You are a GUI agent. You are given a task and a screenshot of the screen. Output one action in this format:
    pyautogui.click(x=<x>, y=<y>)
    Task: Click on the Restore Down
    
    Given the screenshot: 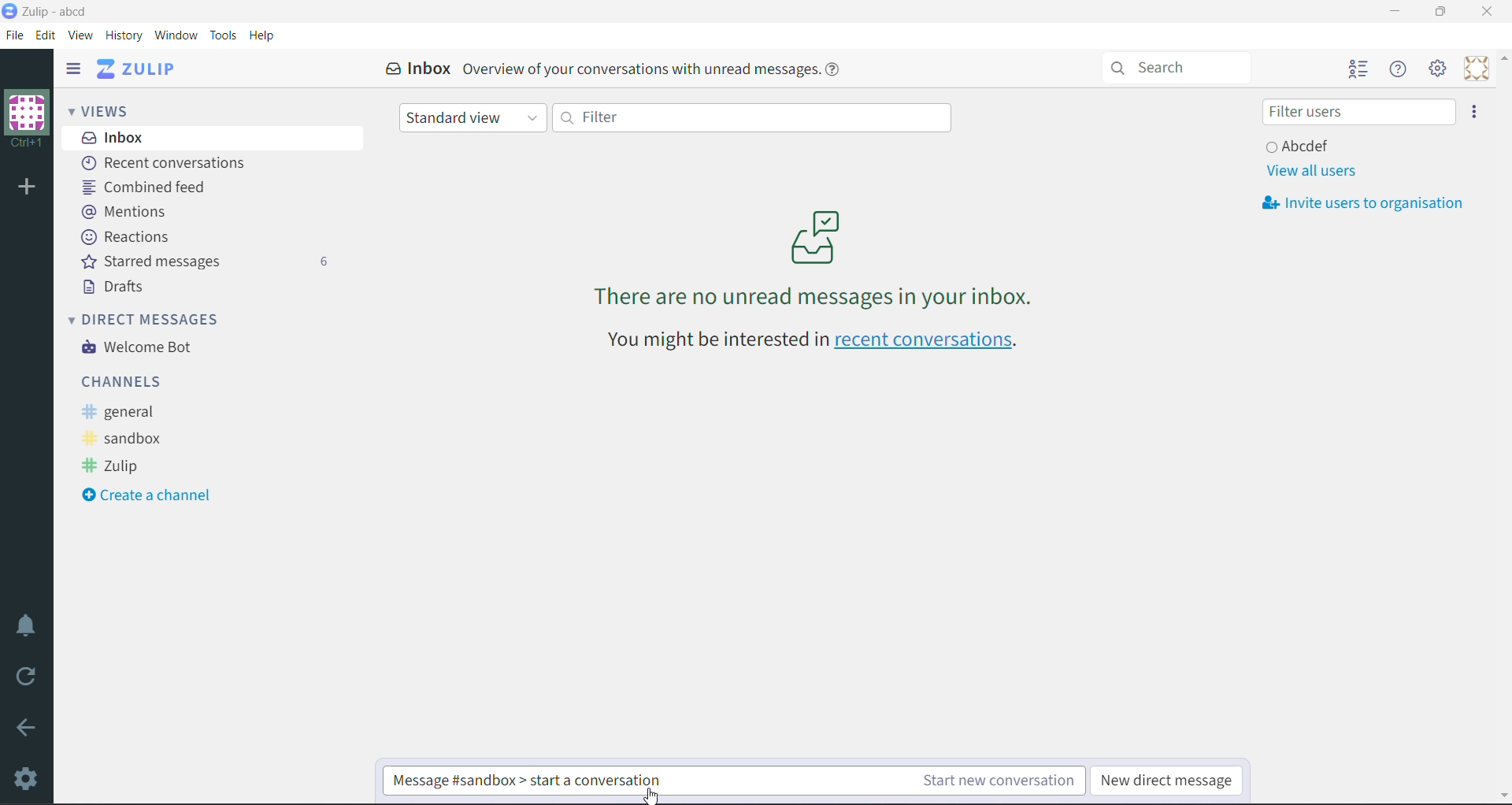 What is the action you would take?
    pyautogui.click(x=1440, y=12)
    